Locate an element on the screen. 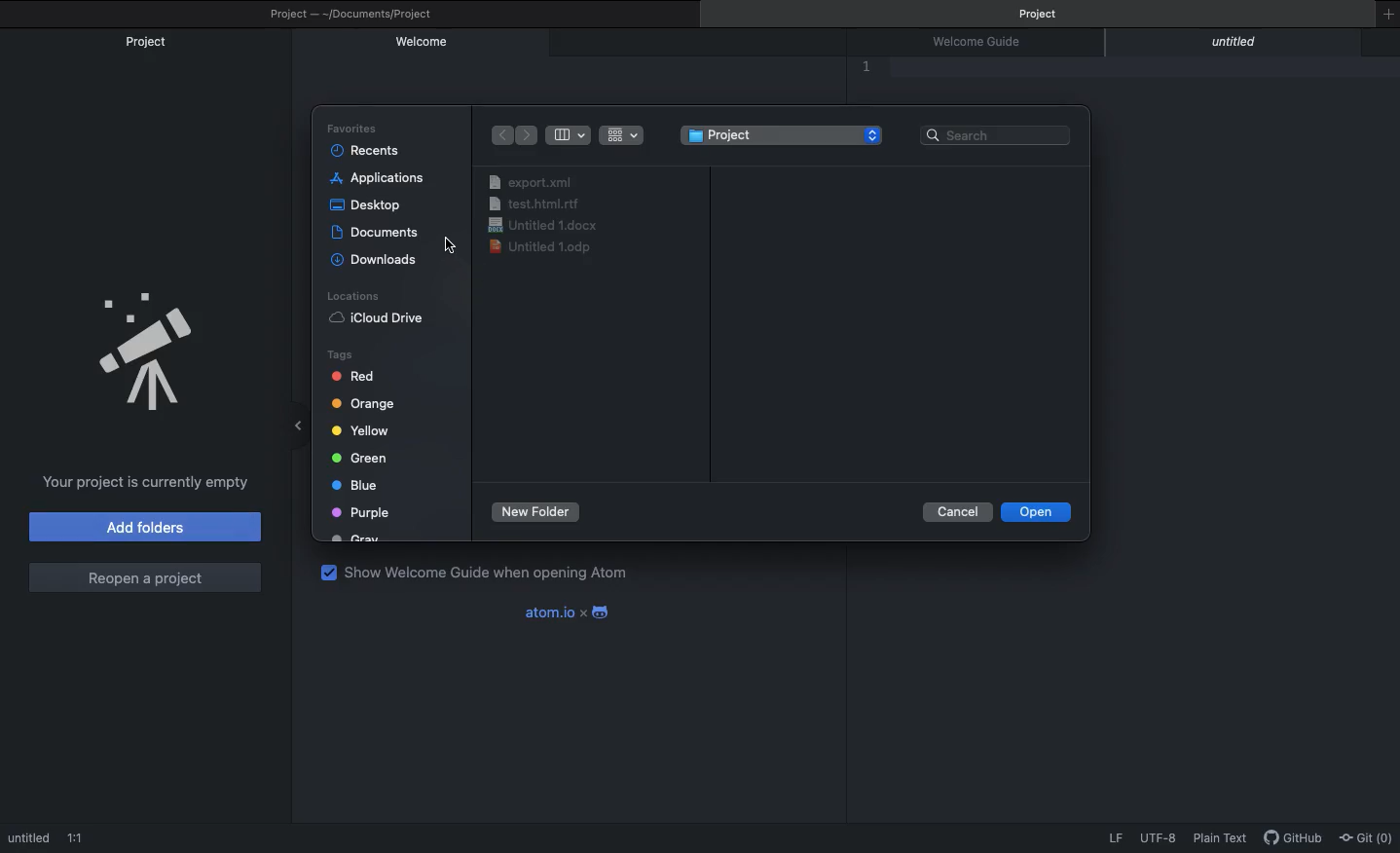 This screenshot has height=853, width=1400. Table view is located at coordinates (568, 134).